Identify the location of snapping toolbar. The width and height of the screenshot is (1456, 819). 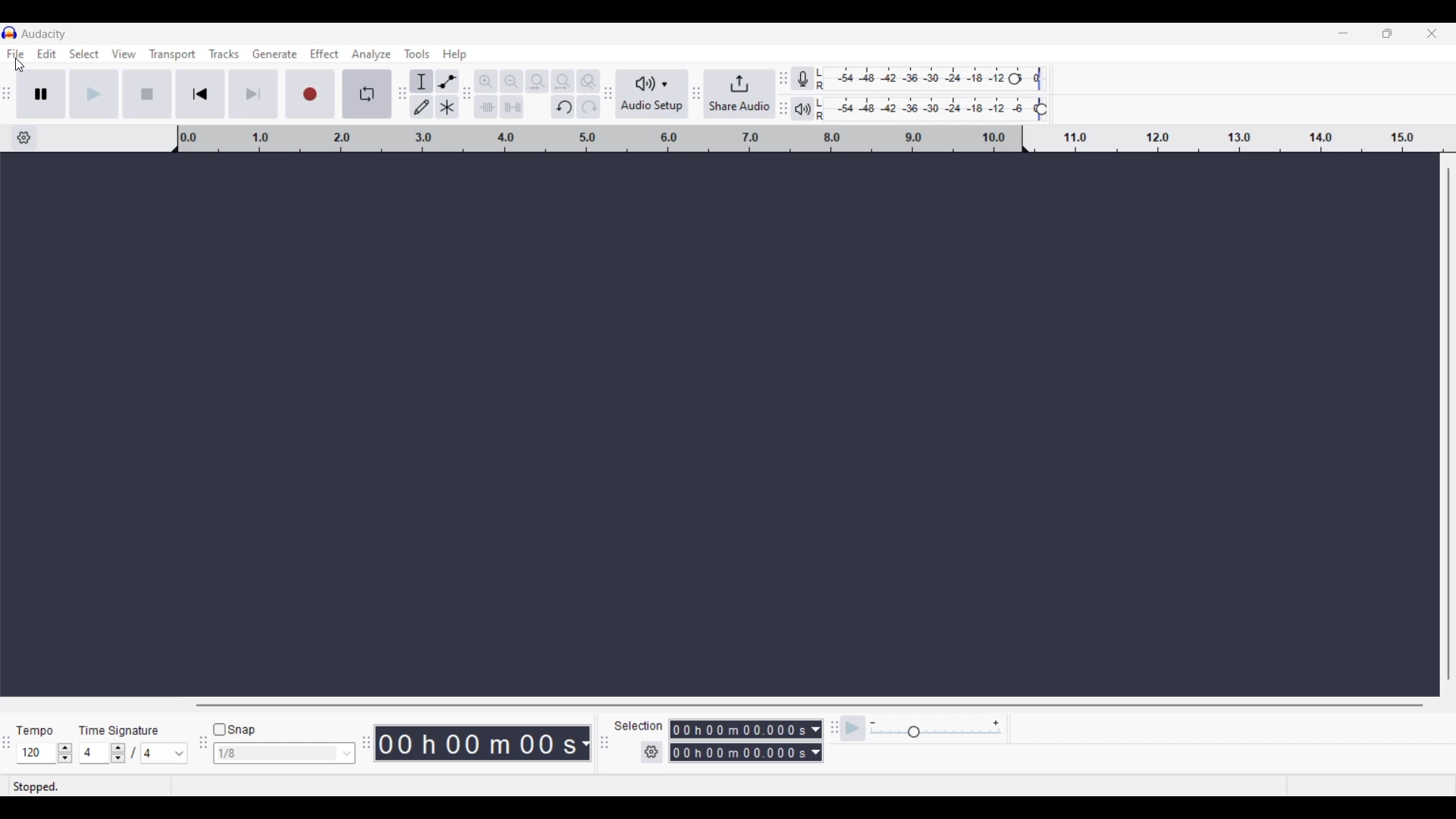
(200, 752).